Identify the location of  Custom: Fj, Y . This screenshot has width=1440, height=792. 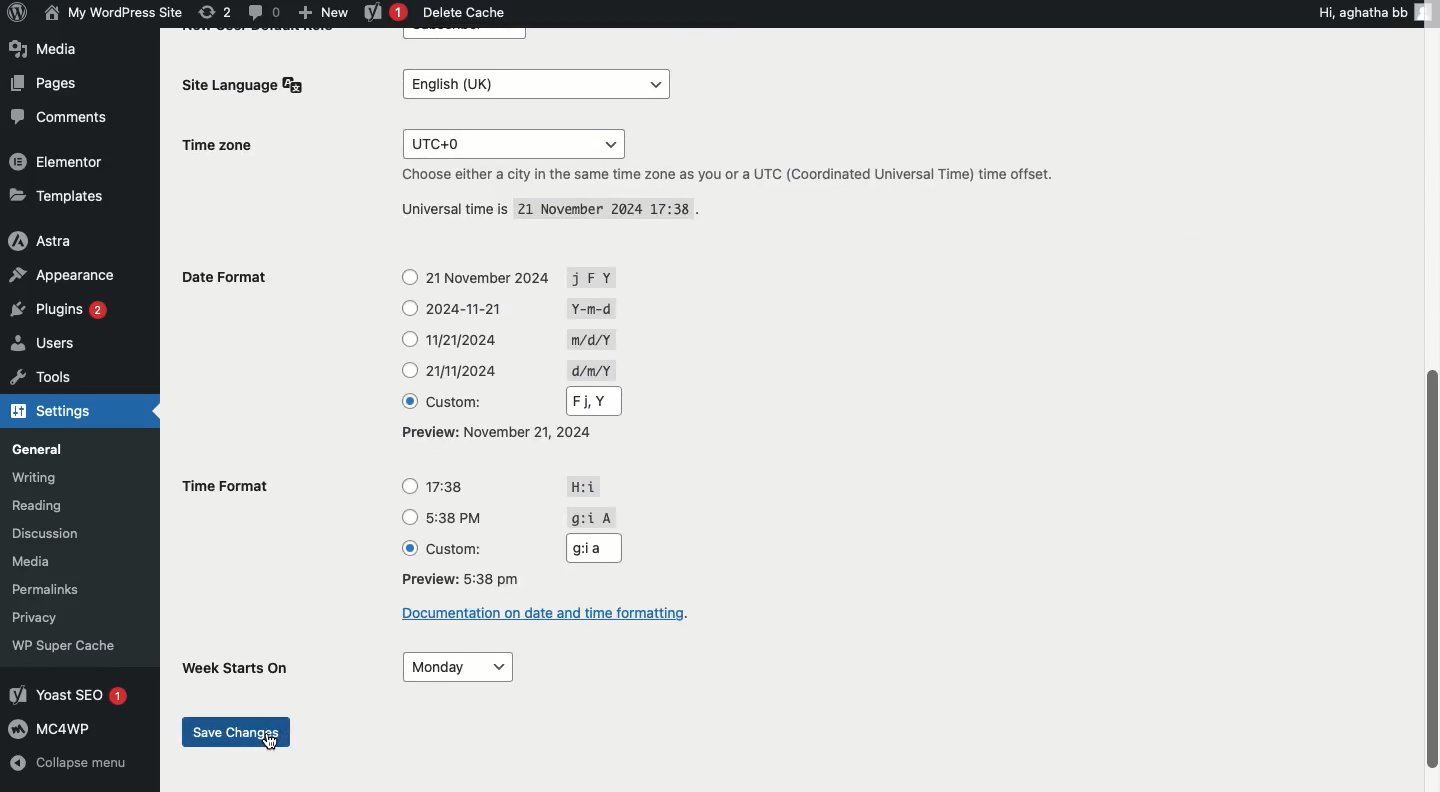
(499, 400).